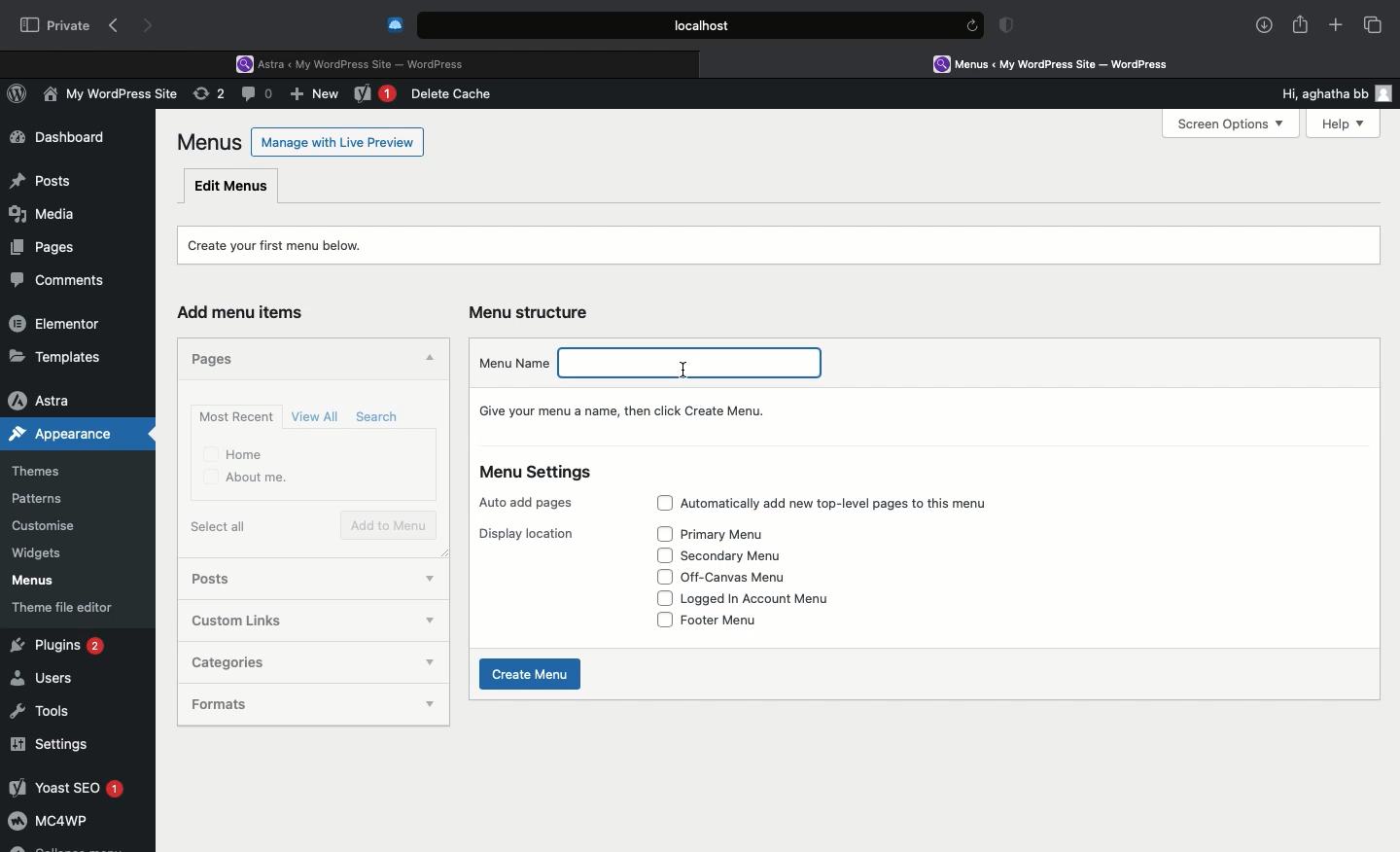 The width and height of the screenshot is (1400, 852). I want to click on New, so click(375, 95).